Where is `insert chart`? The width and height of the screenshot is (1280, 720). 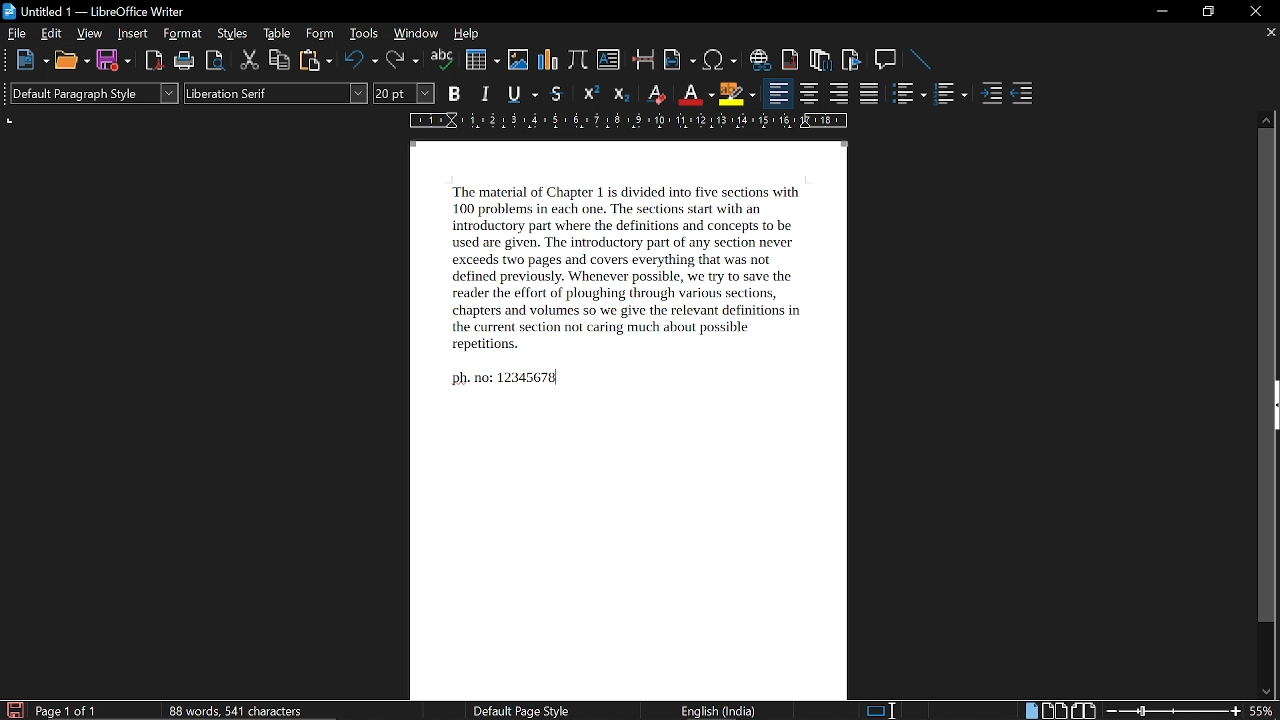
insert chart is located at coordinates (547, 59).